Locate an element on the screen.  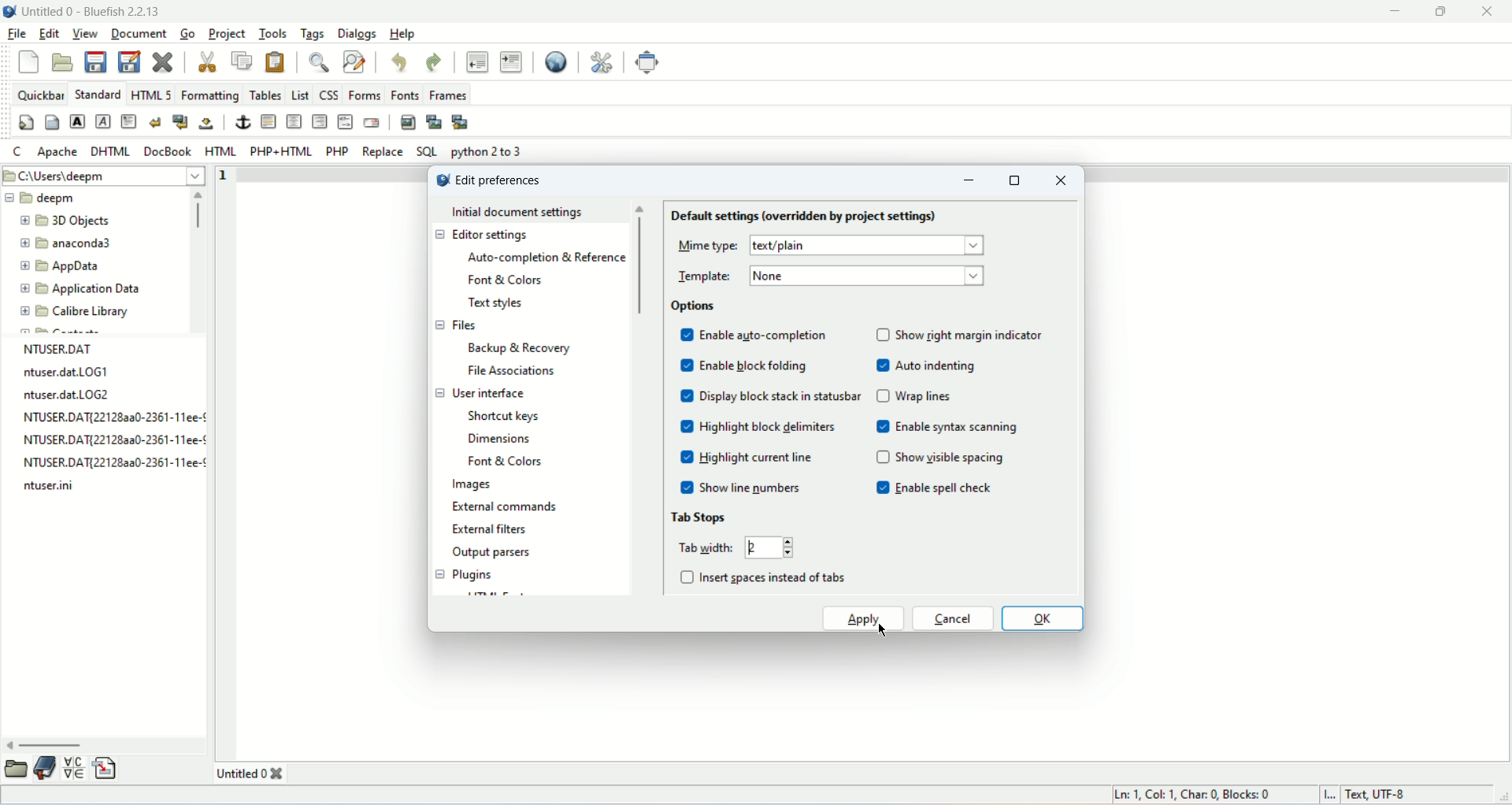
tab width is located at coordinates (701, 547).